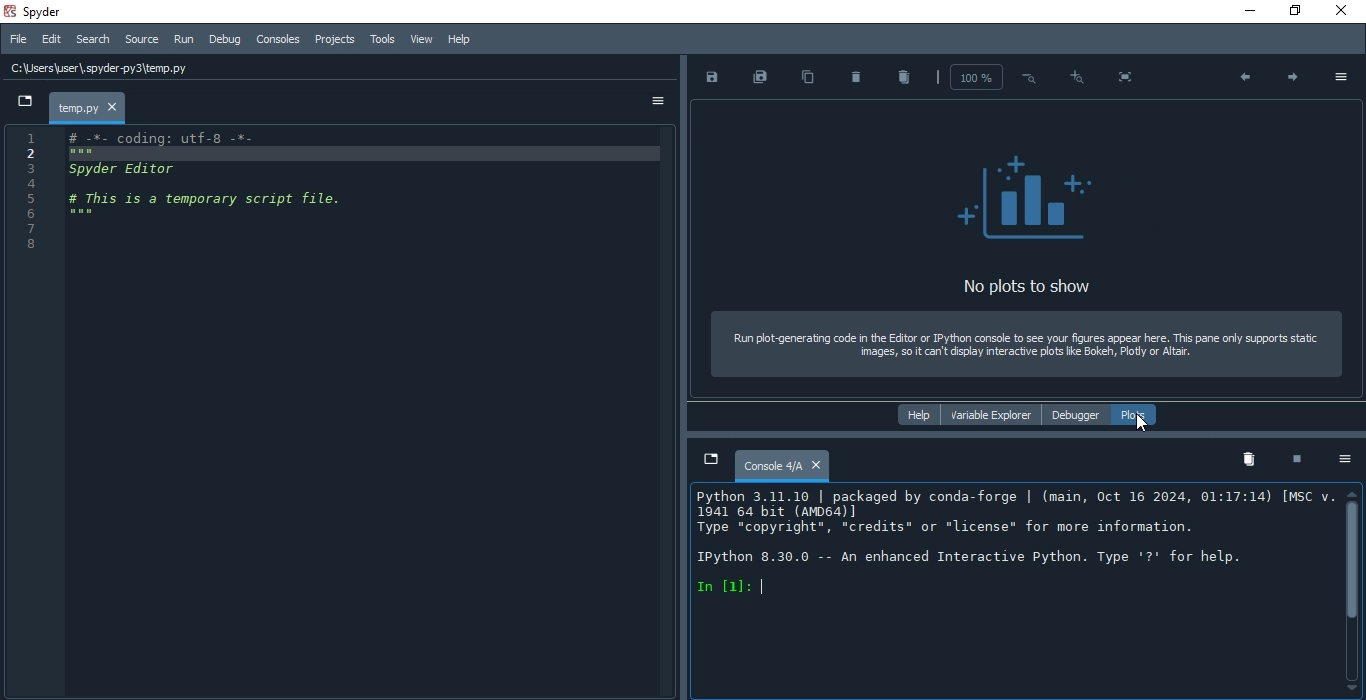  What do you see at coordinates (22, 103) in the screenshot?
I see `dropdown` at bounding box center [22, 103].